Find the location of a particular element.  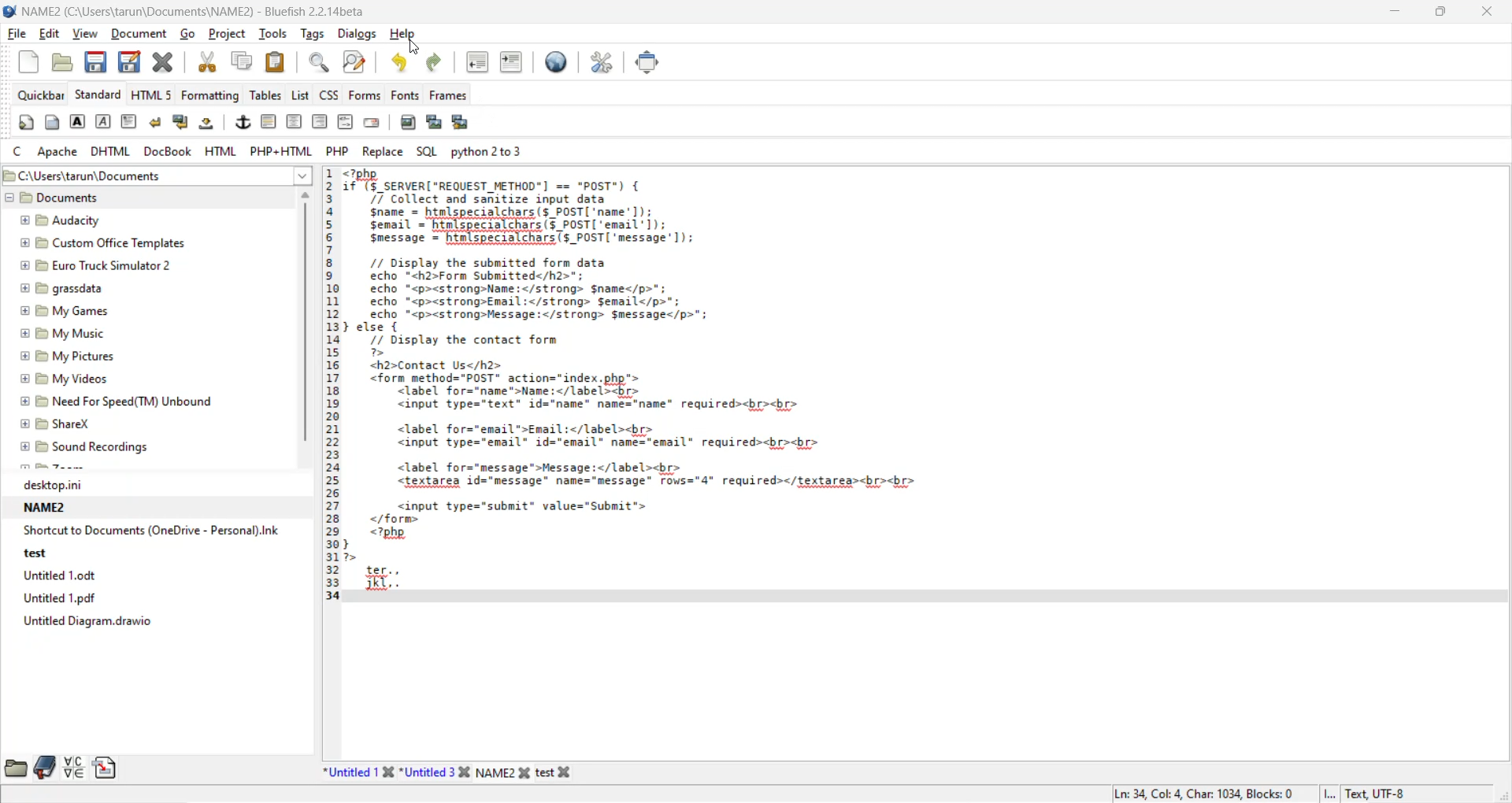

project is located at coordinates (224, 33).